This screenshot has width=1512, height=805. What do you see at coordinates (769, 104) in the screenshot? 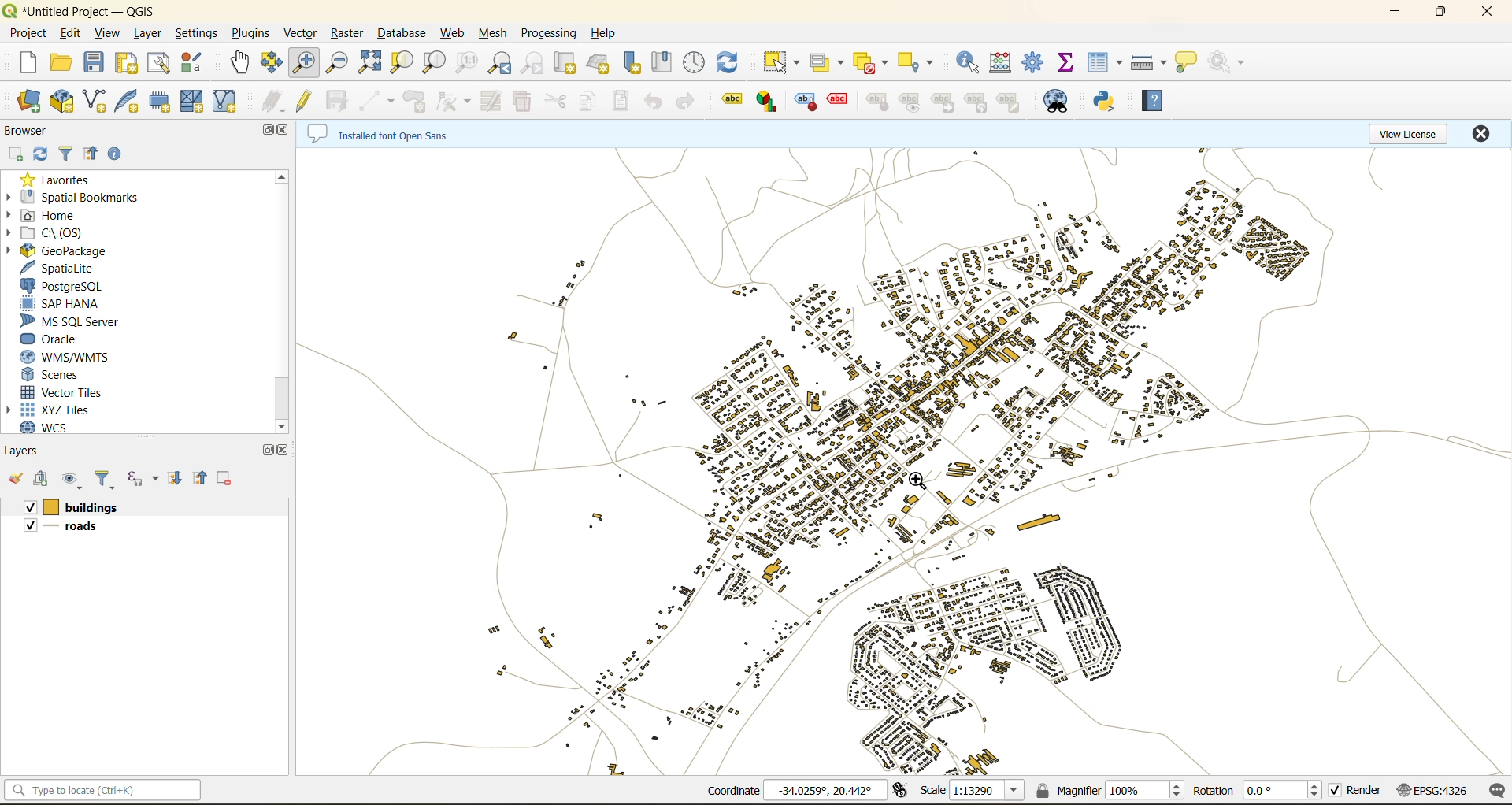
I see `Add Charts` at bounding box center [769, 104].